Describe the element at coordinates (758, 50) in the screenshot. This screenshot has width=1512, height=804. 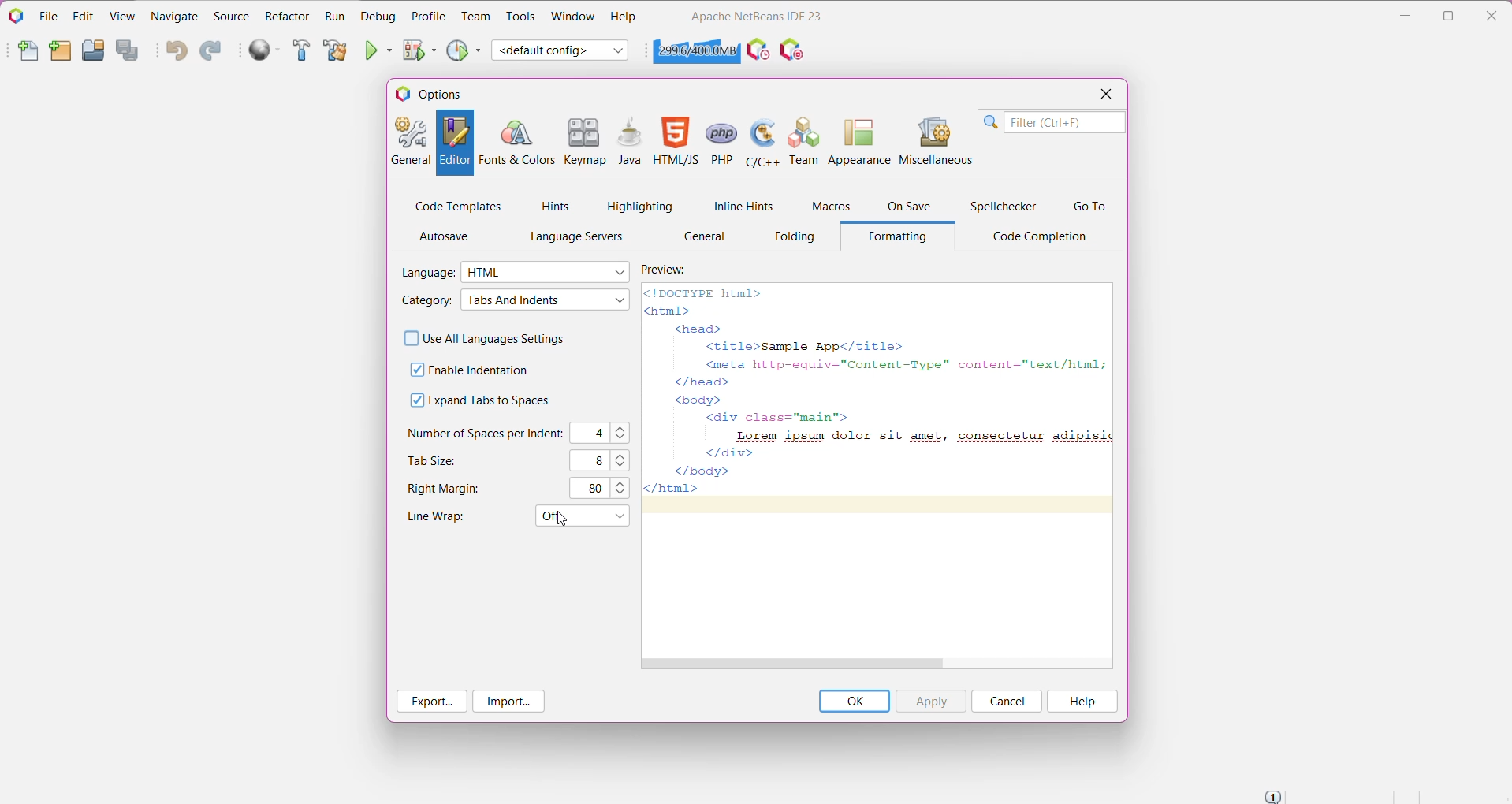
I see `Profile the IDE` at that location.